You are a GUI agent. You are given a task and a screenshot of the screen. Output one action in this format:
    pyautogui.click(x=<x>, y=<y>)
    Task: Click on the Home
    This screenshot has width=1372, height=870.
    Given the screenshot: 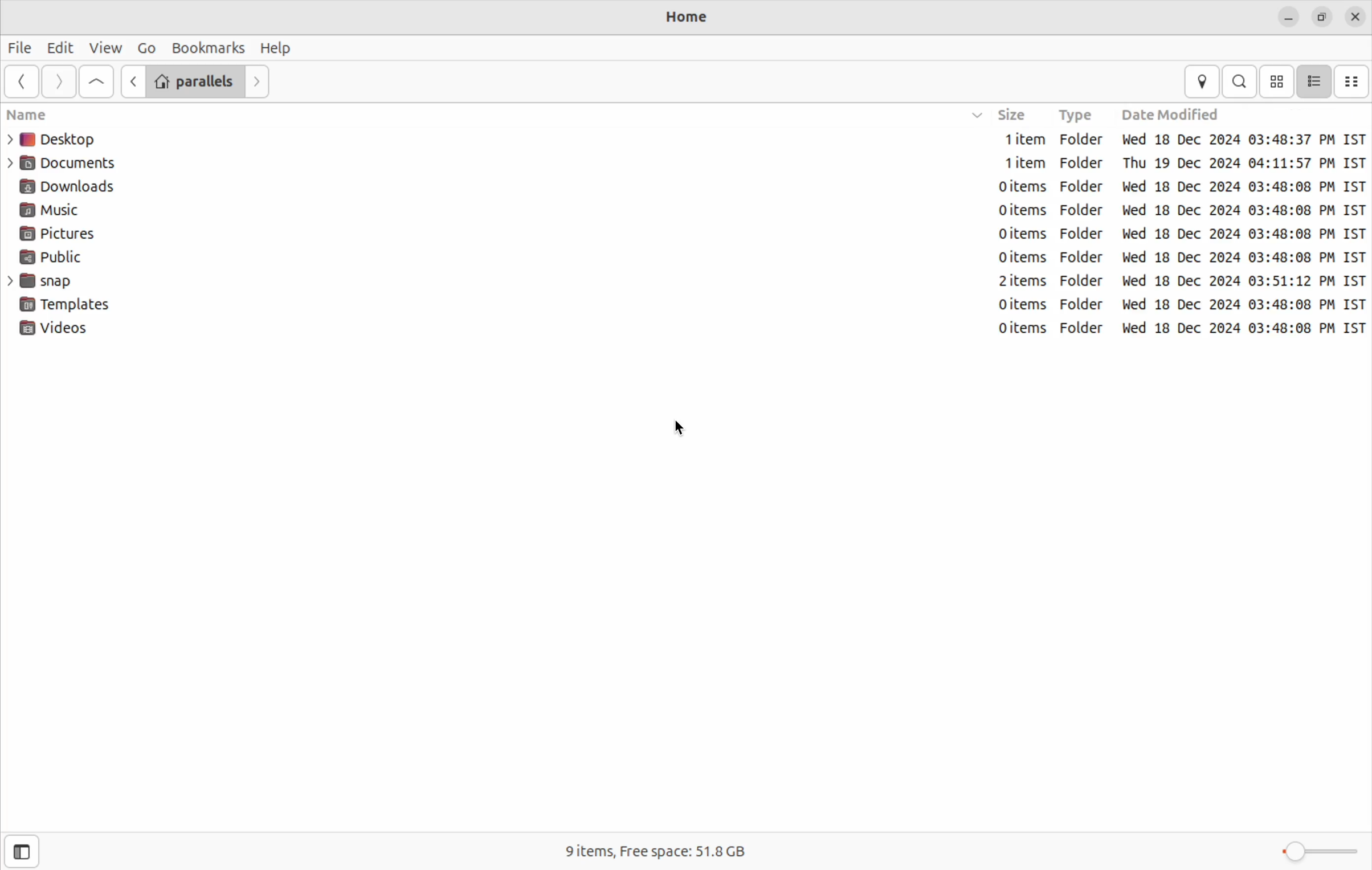 What is the action you would take?
    pyautogui.click(x=685, y=19)
    